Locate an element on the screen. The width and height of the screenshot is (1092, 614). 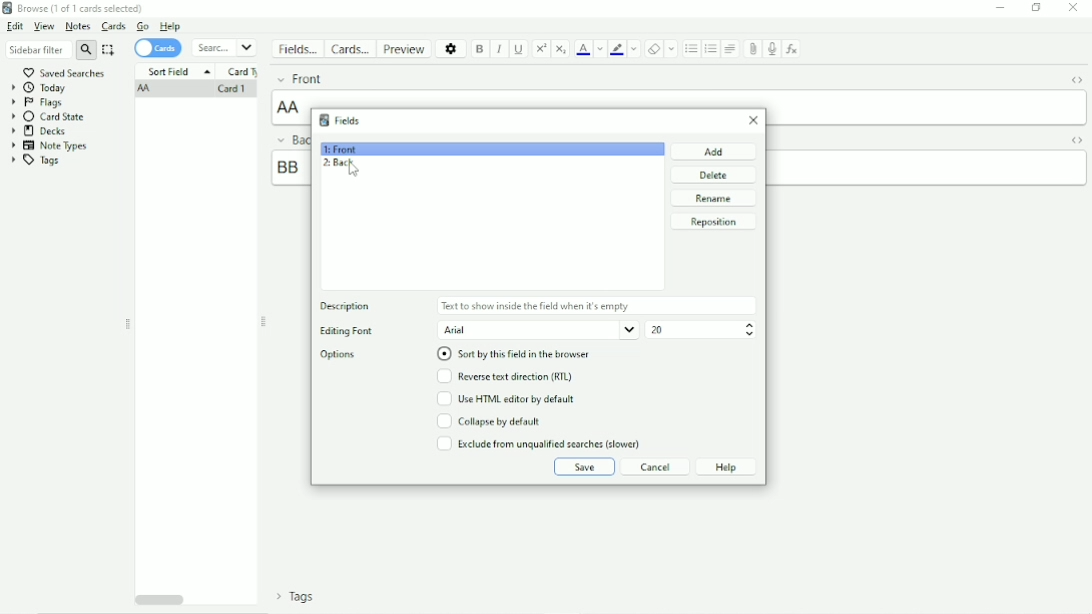
Options is located at coordinates (452, 48).